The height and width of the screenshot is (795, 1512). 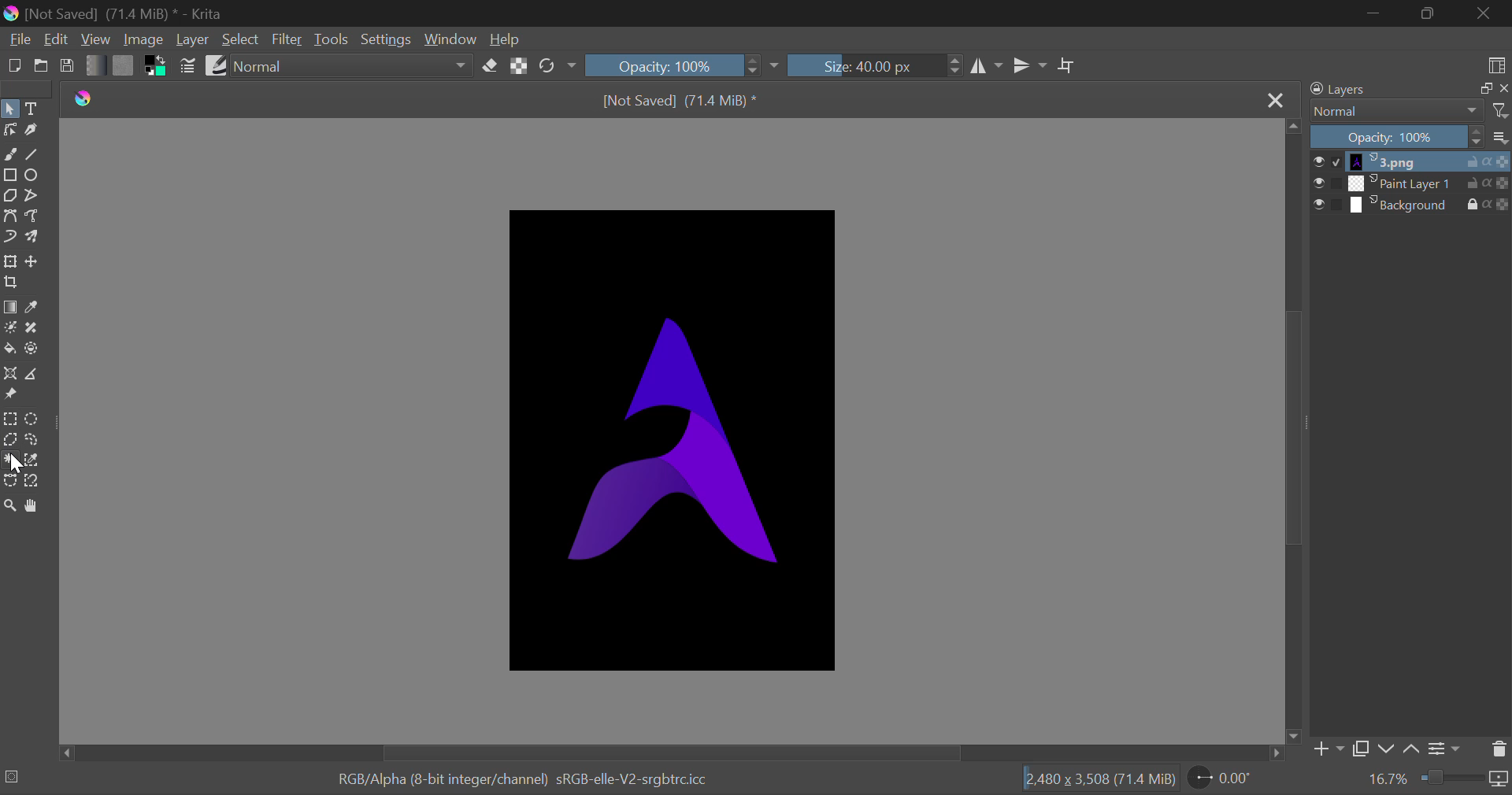 I want to click on Polygon, so click(x=11, y=198).